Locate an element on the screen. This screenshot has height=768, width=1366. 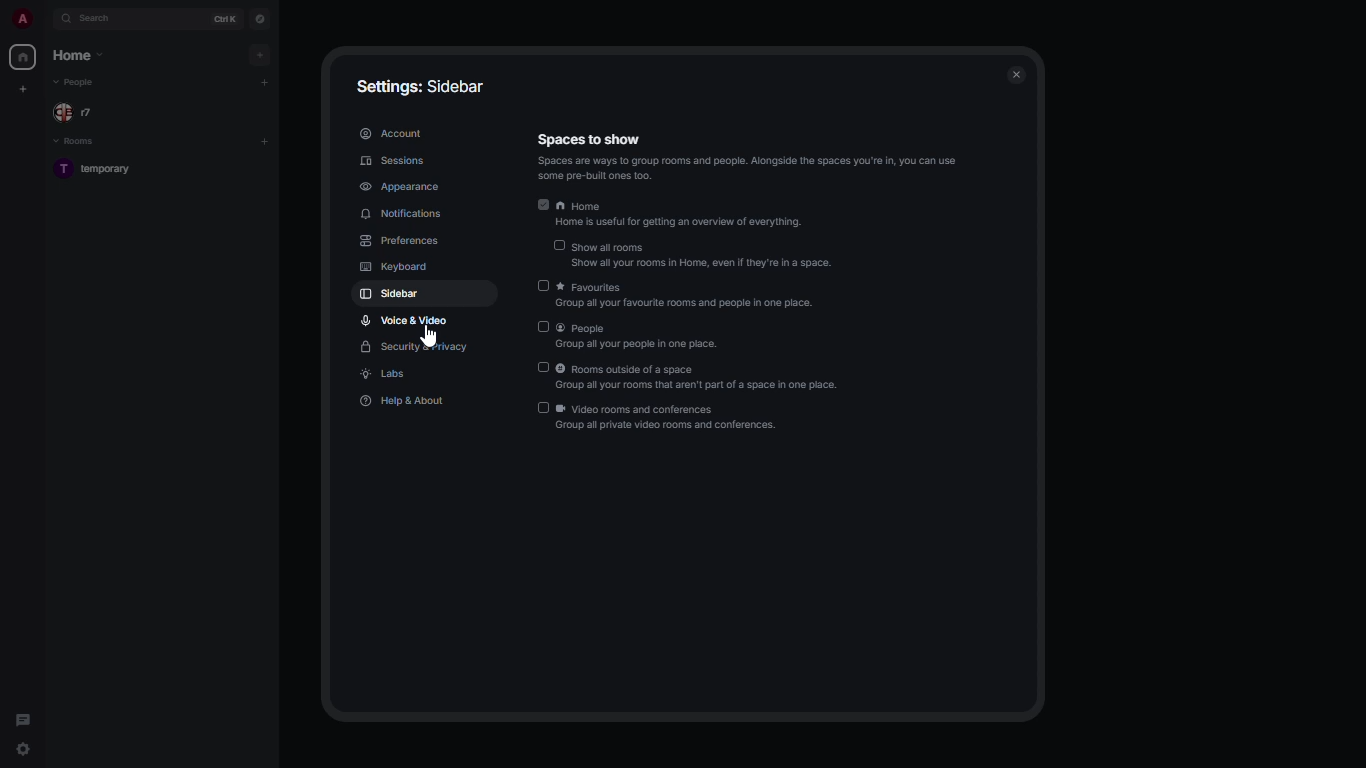
labs is located at coordinates (385, 374).